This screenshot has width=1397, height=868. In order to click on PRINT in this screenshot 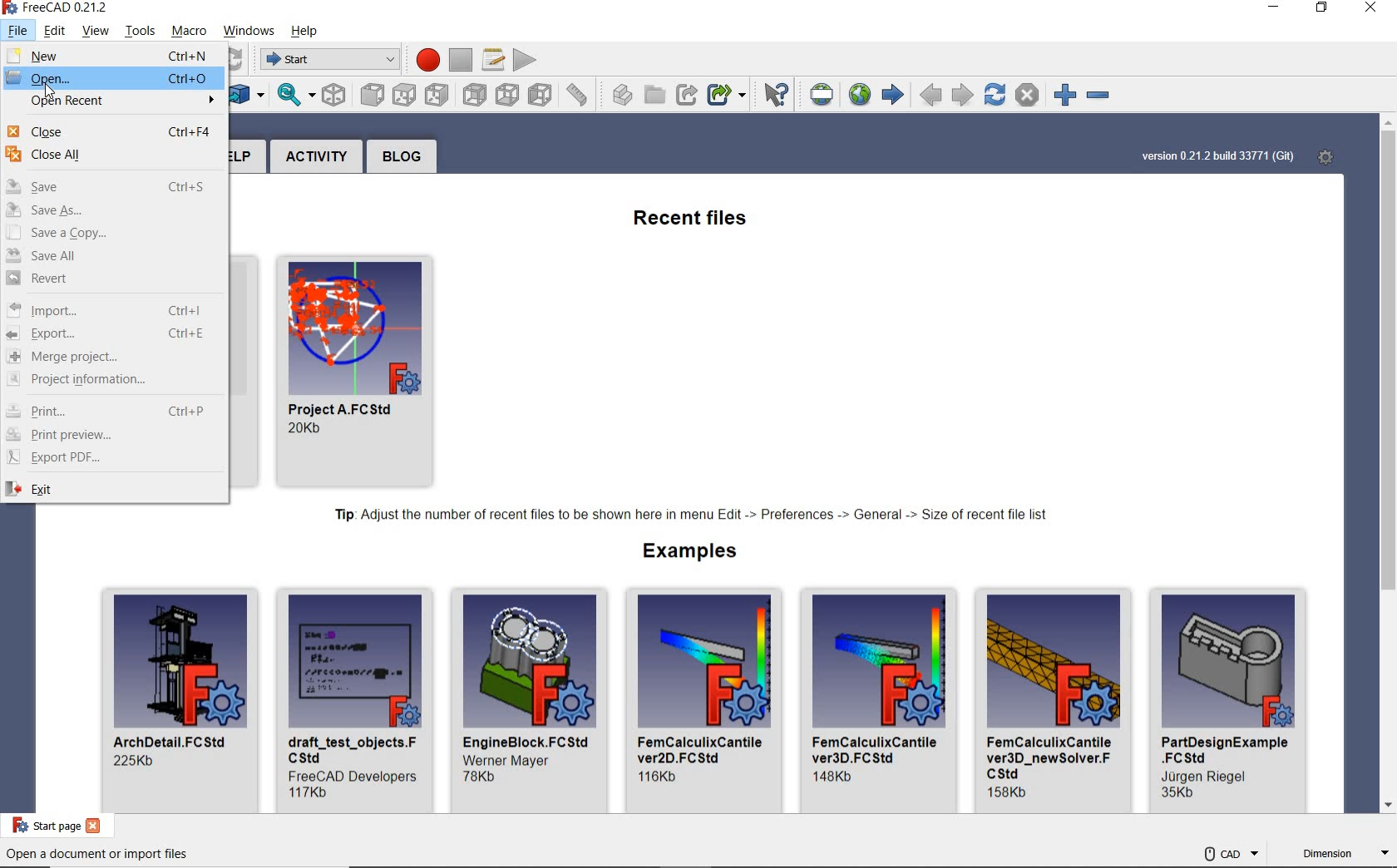, I will do `click(70, 409)`.